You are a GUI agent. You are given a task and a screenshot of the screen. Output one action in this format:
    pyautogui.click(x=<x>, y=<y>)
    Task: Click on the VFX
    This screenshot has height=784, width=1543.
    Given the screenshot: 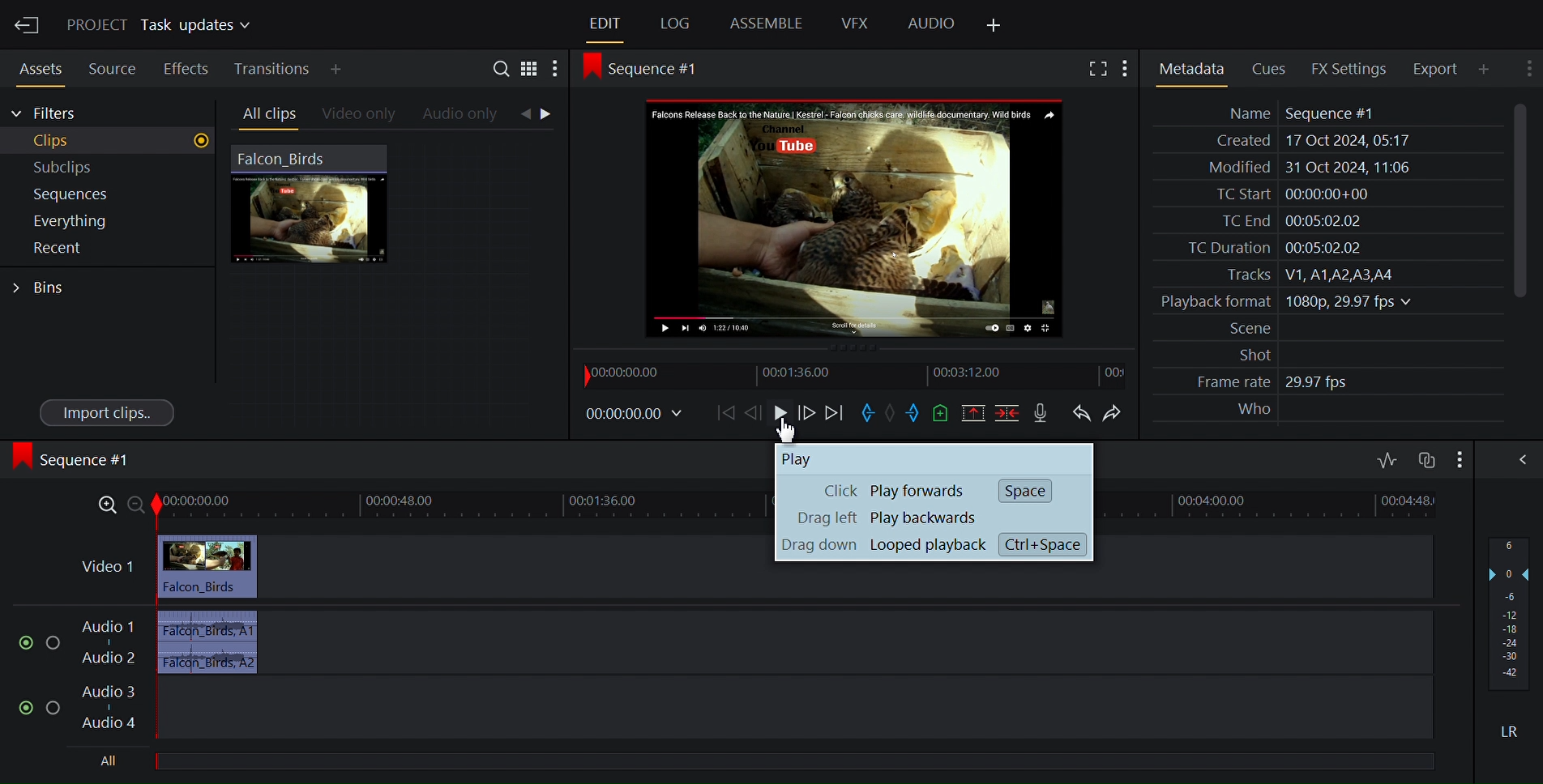 What is the action you would take?
    pyautogui.click(x=855, y=24)
    